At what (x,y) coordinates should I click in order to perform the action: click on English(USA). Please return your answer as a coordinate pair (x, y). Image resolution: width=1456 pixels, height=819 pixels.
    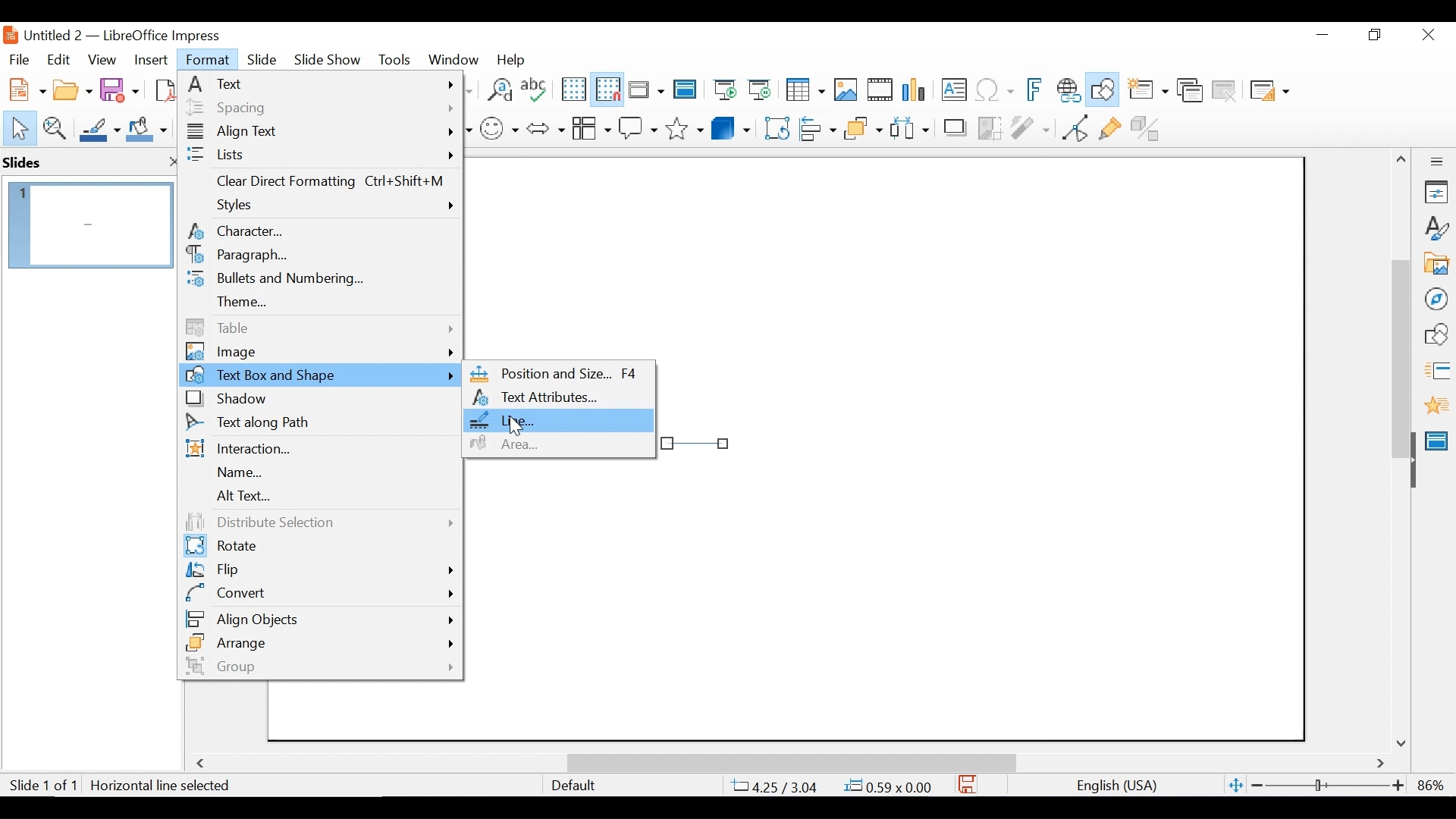
    Looking at the image, I should click on (1109, 786).